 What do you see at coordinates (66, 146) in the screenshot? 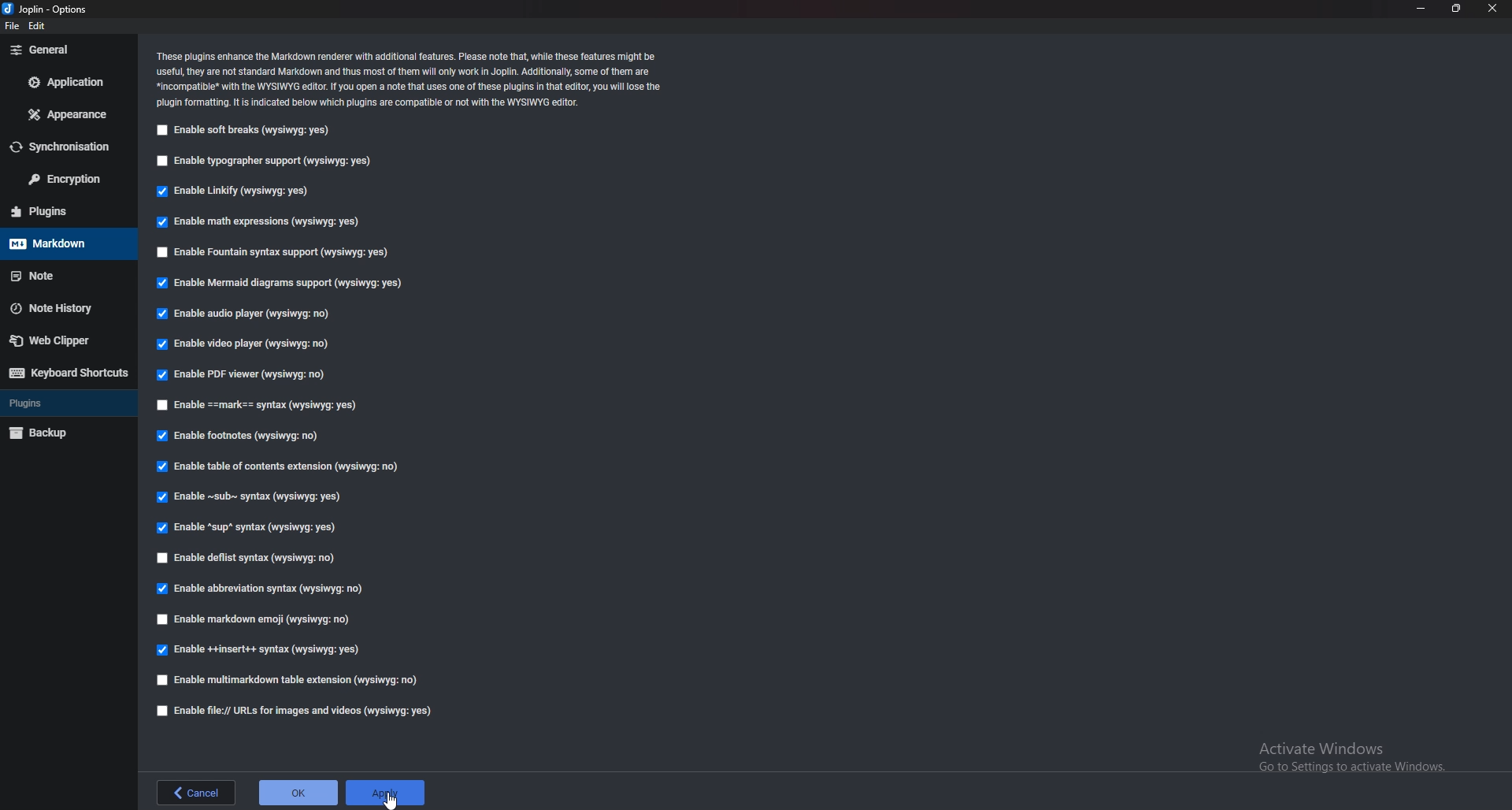
I see `Synchronization` at bounding box center [66, 146].